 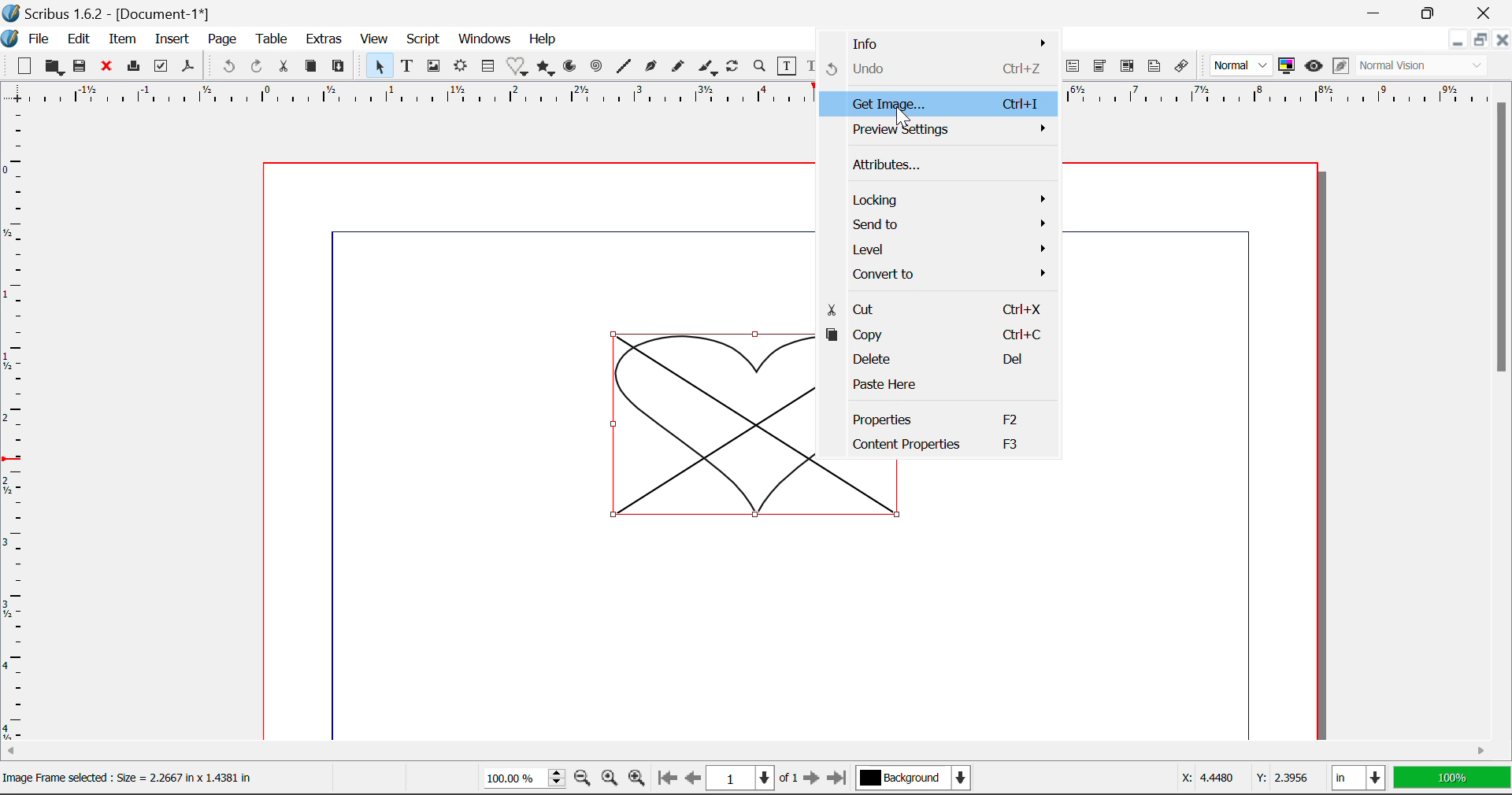 What do you see at coordinates (637, 779) in the screenshot?
I see `Zoom In` at bounding box center [637, 779].